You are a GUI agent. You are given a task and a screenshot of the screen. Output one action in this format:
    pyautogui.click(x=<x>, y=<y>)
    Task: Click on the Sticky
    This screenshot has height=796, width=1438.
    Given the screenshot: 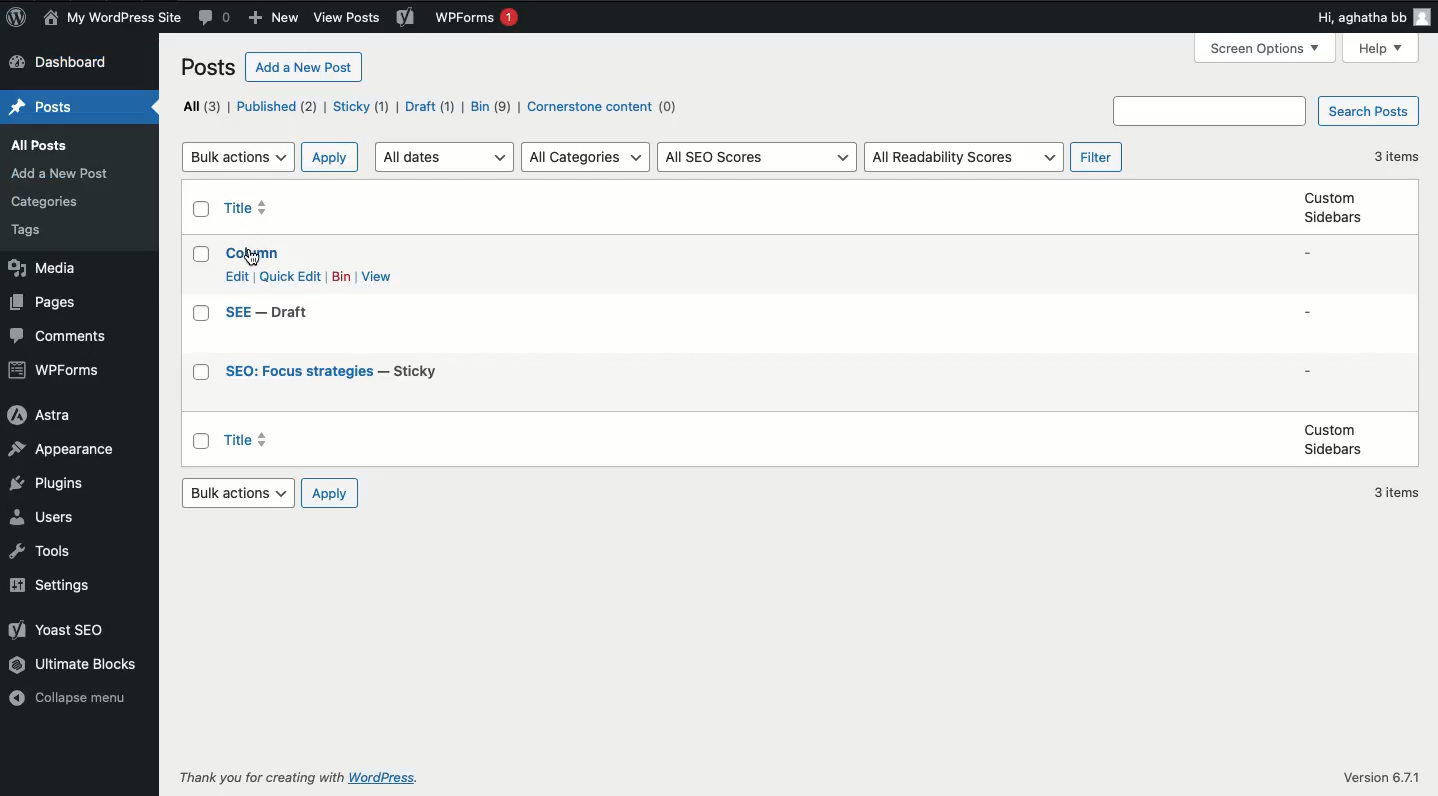 What is the action you would take?
    pyautogui.click(x=361, y=108)
    